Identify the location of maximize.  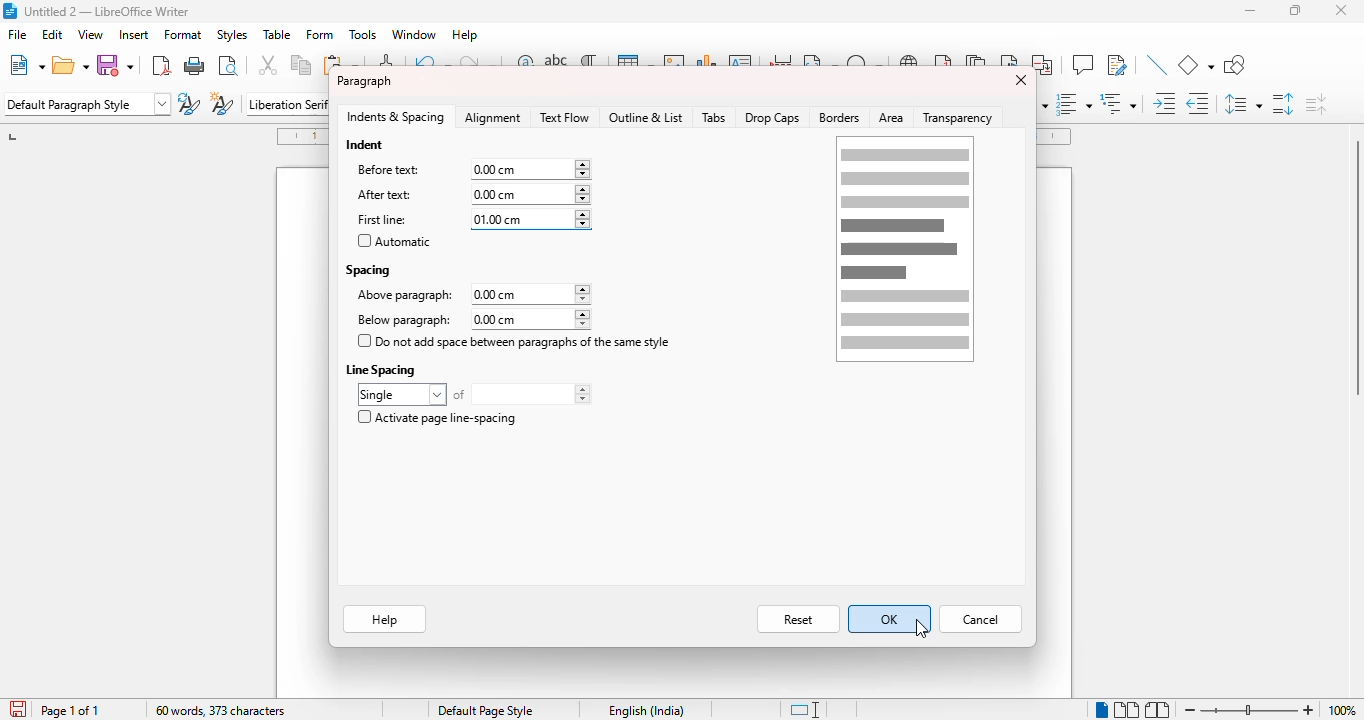
(1296, 10).